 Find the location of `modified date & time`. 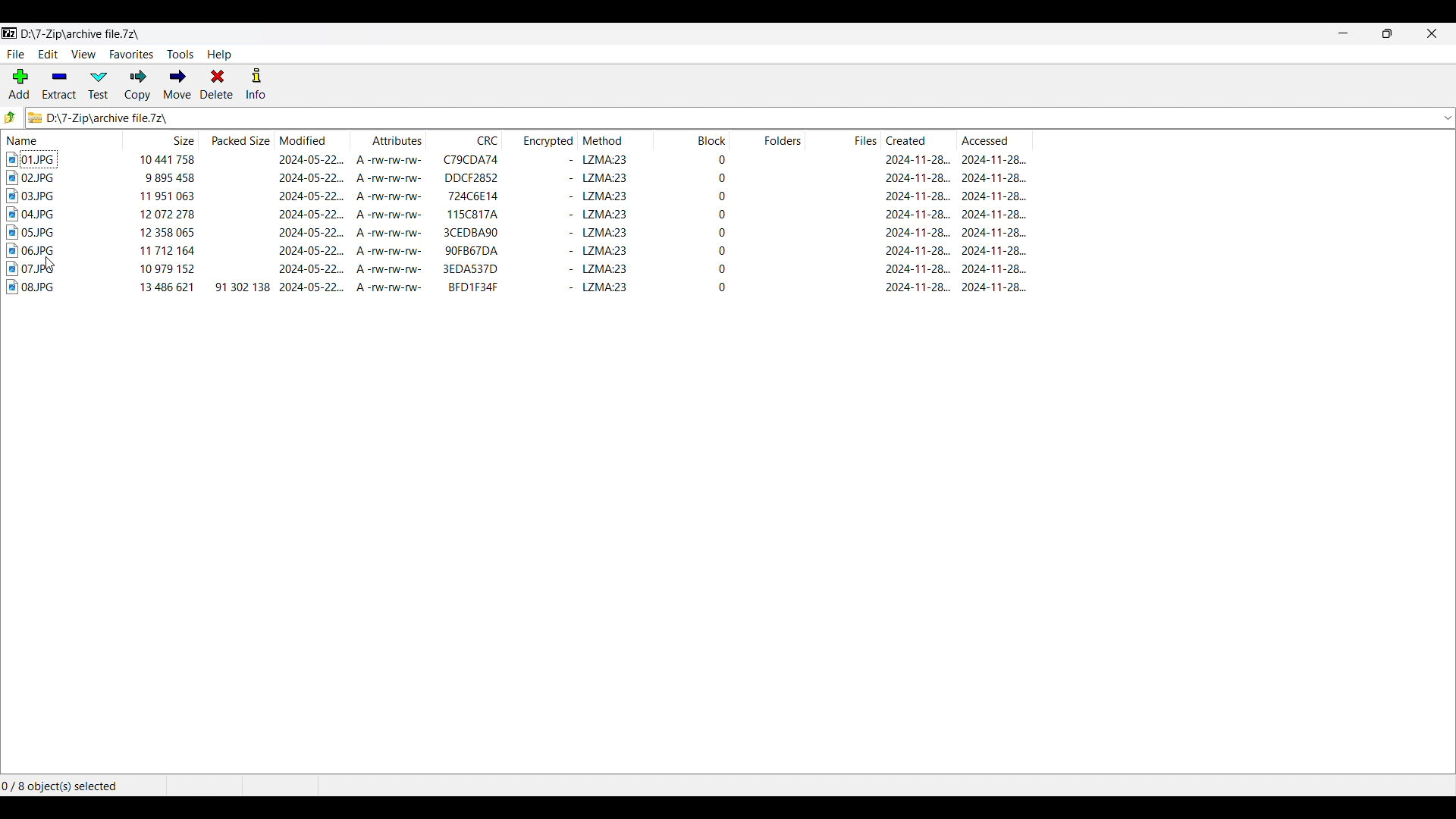

modified date & time is located at coordinates (312, 268).